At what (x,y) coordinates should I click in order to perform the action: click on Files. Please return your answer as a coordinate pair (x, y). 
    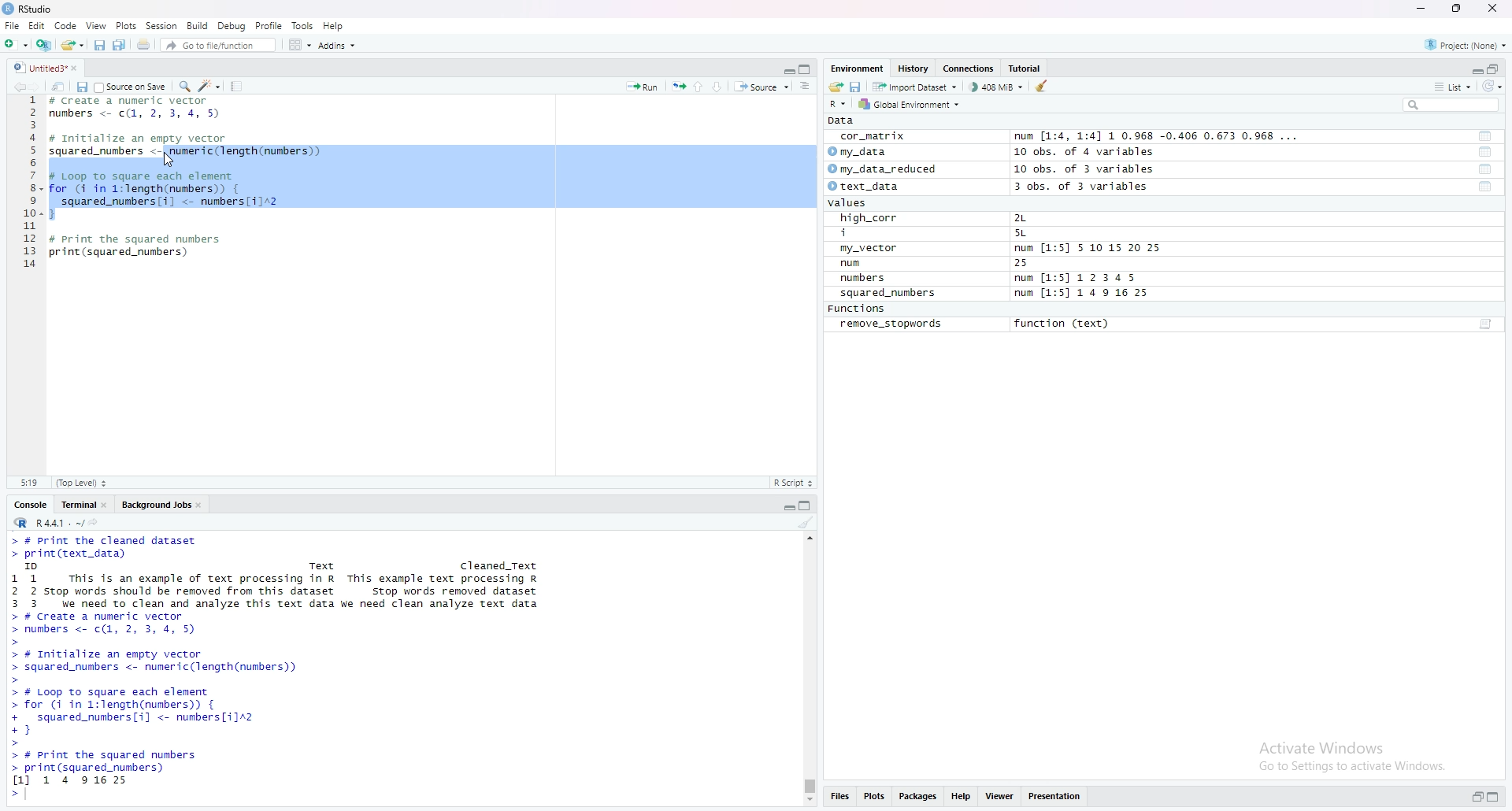
    Looking at the image, I should click on (839, 798).